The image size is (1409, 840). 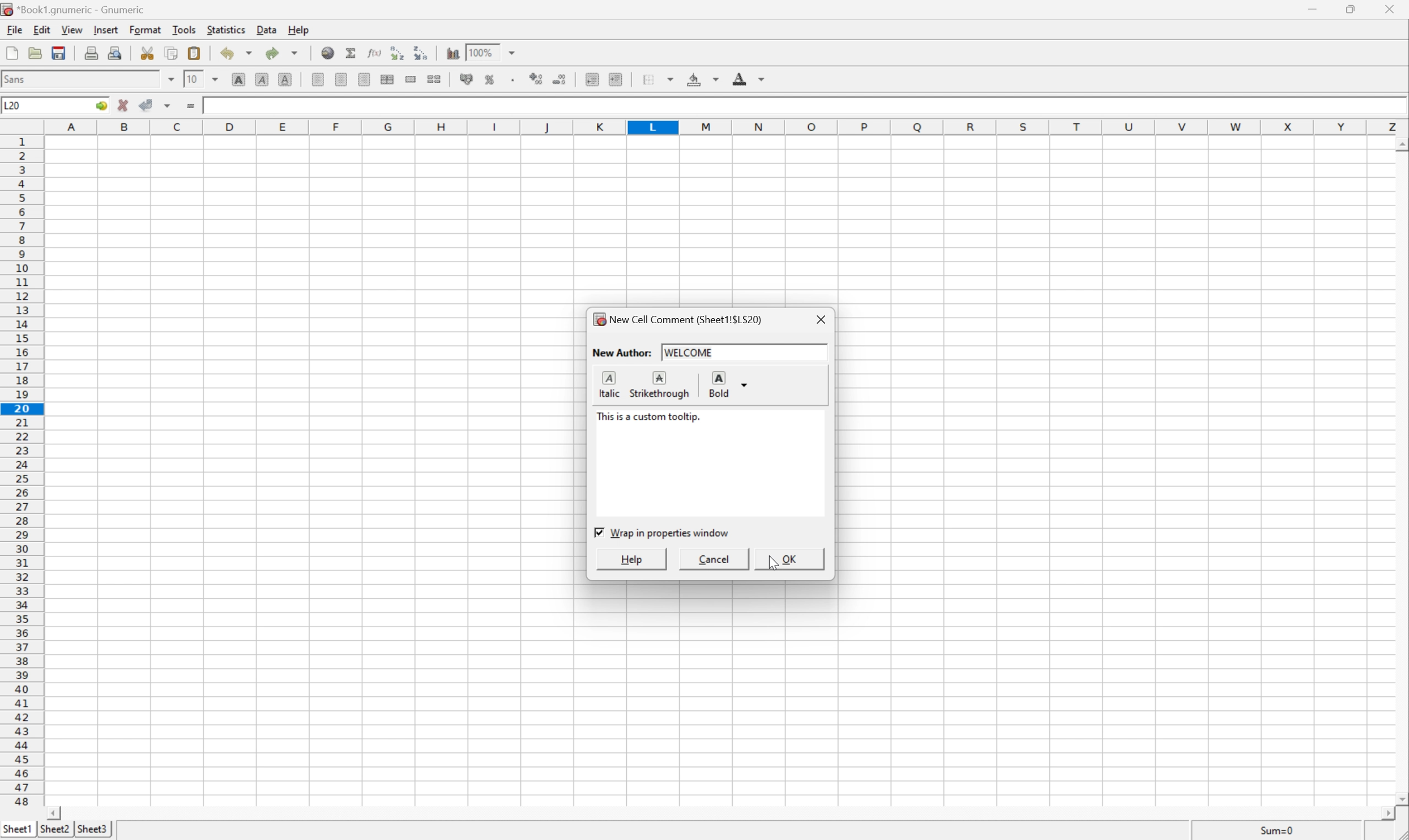 What do you see at coordinates (75, 10) in the screenshot?
I see `*Book1.gnumeric - Gnumeric` at bounding box center [75, 10].